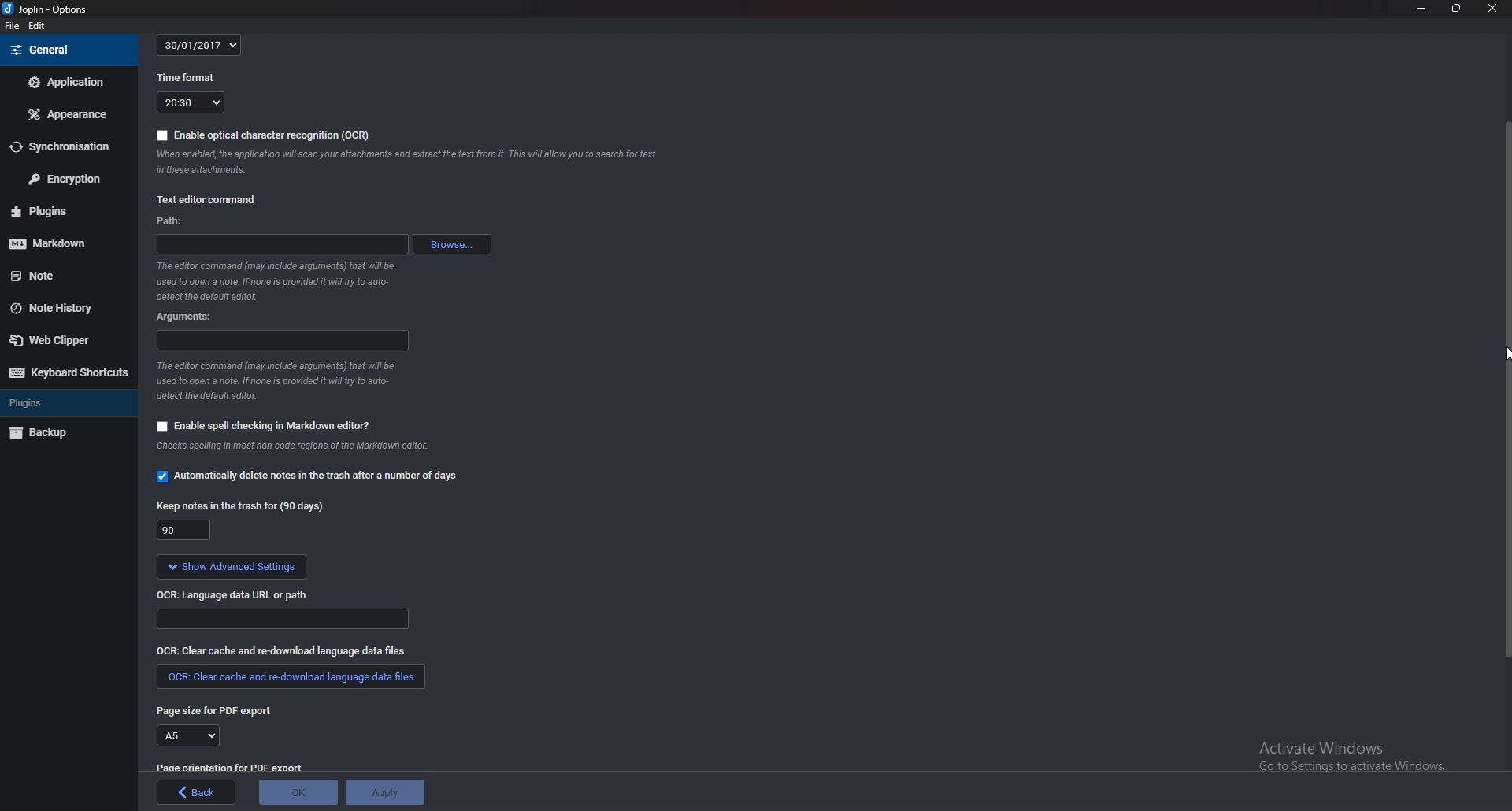 Image resolution: width=1512 pixels, height=811 pixels. What do you see at coordinates (68, 373) in the screenshot?
I see `Keyboard shortcuts` at bounding box center [68, 373].